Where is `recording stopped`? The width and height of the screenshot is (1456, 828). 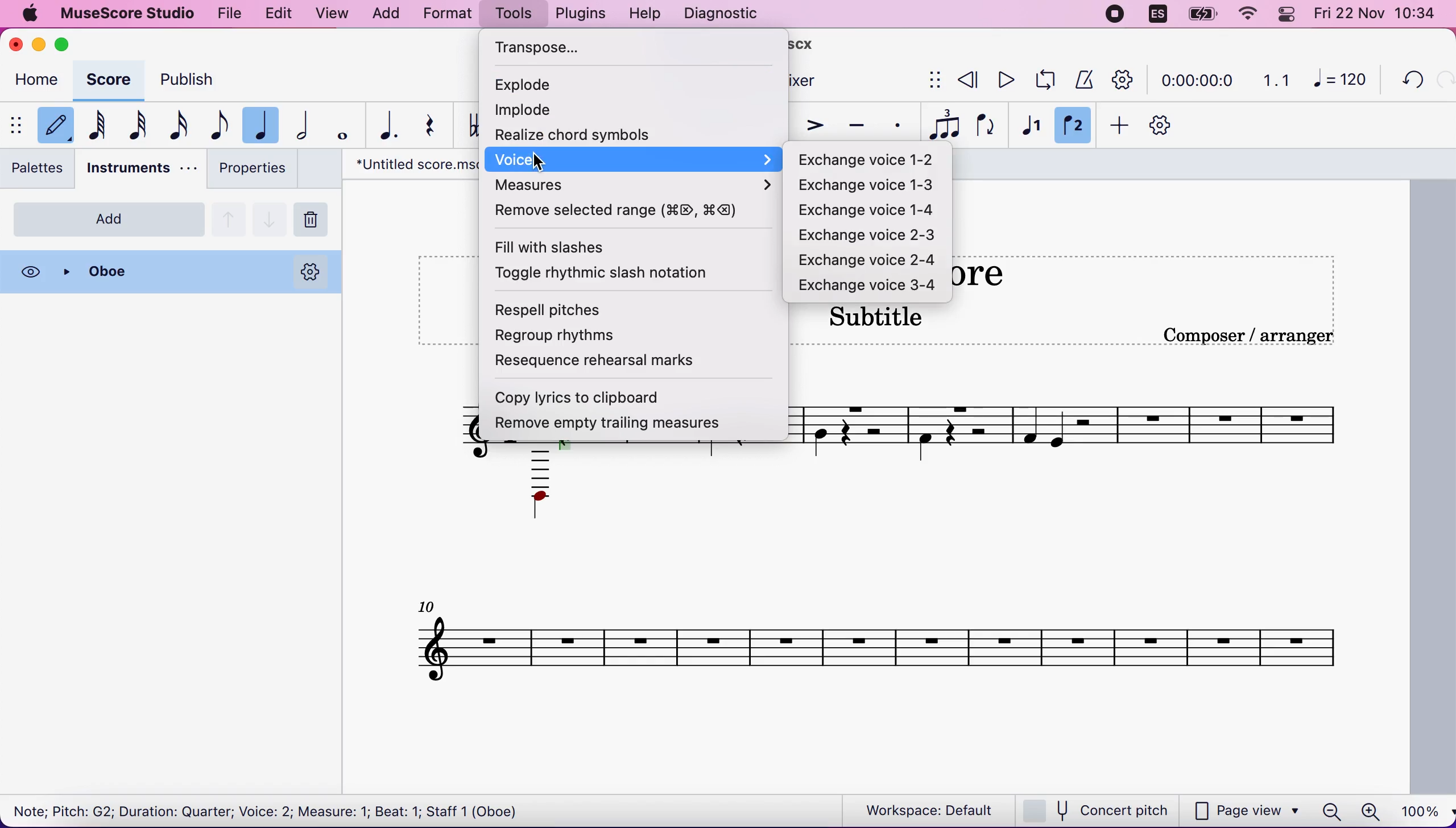
recording stopped is located at coordinates (1116, 15).